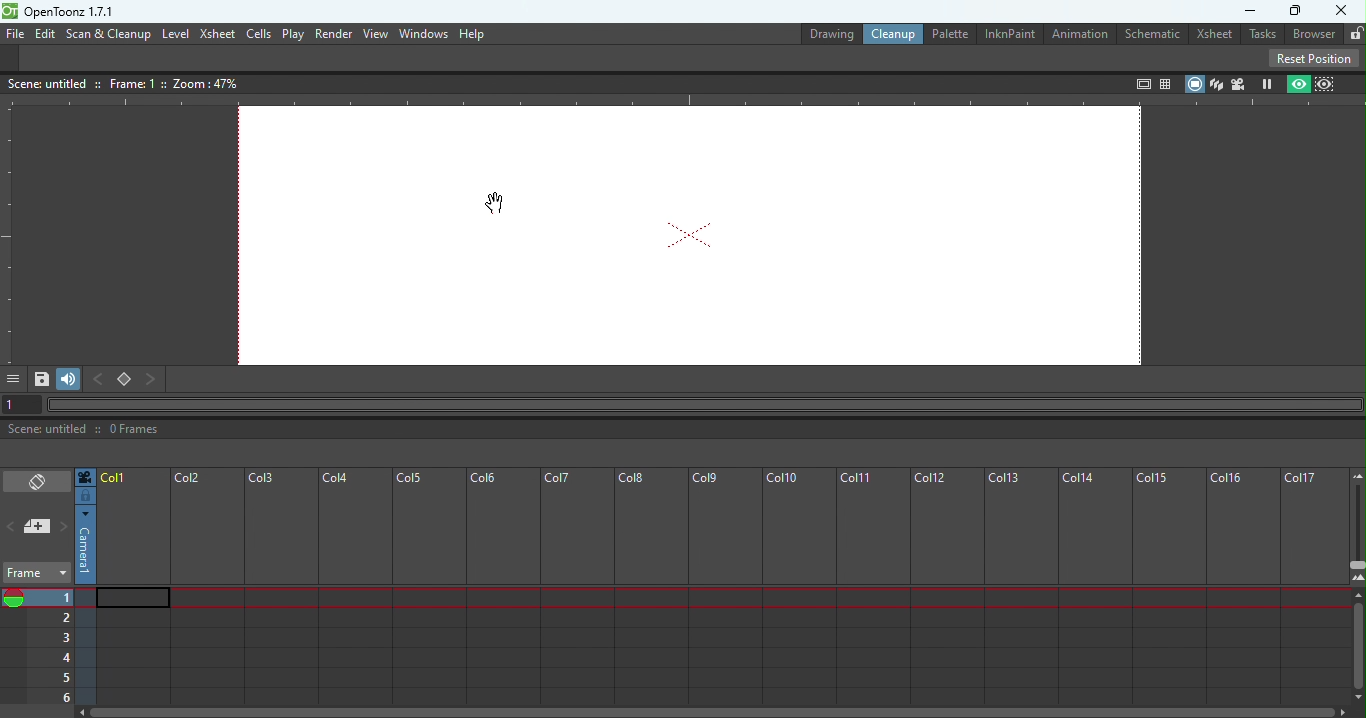  Describe the element at coordinates (1352, 32) in the screenshot. I see `Lock rooms tab` at that location.